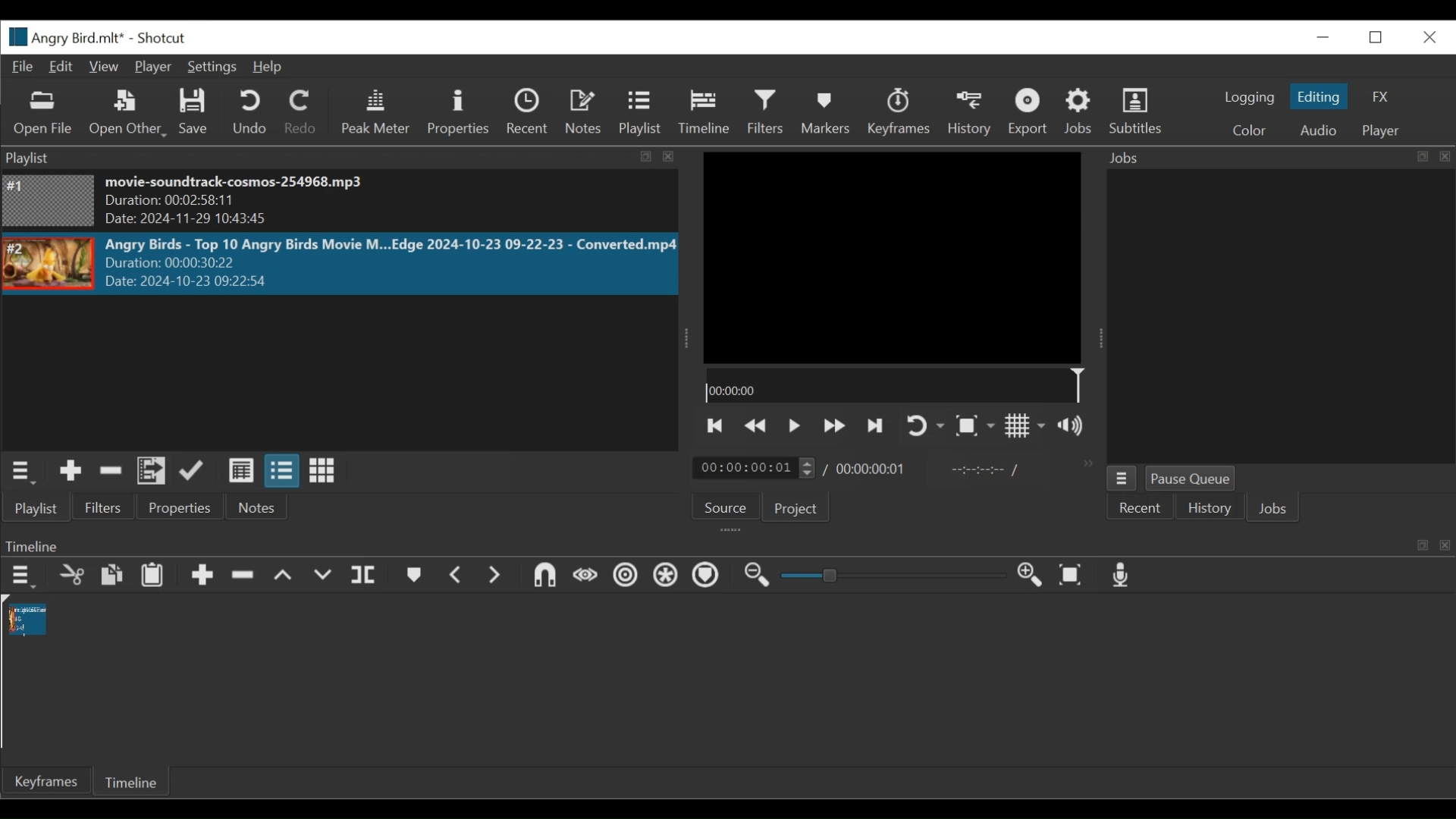  What do you see at coordinates (1250, 97) in the screenshot?
I see `logging` at bounding box center [1250, 97].